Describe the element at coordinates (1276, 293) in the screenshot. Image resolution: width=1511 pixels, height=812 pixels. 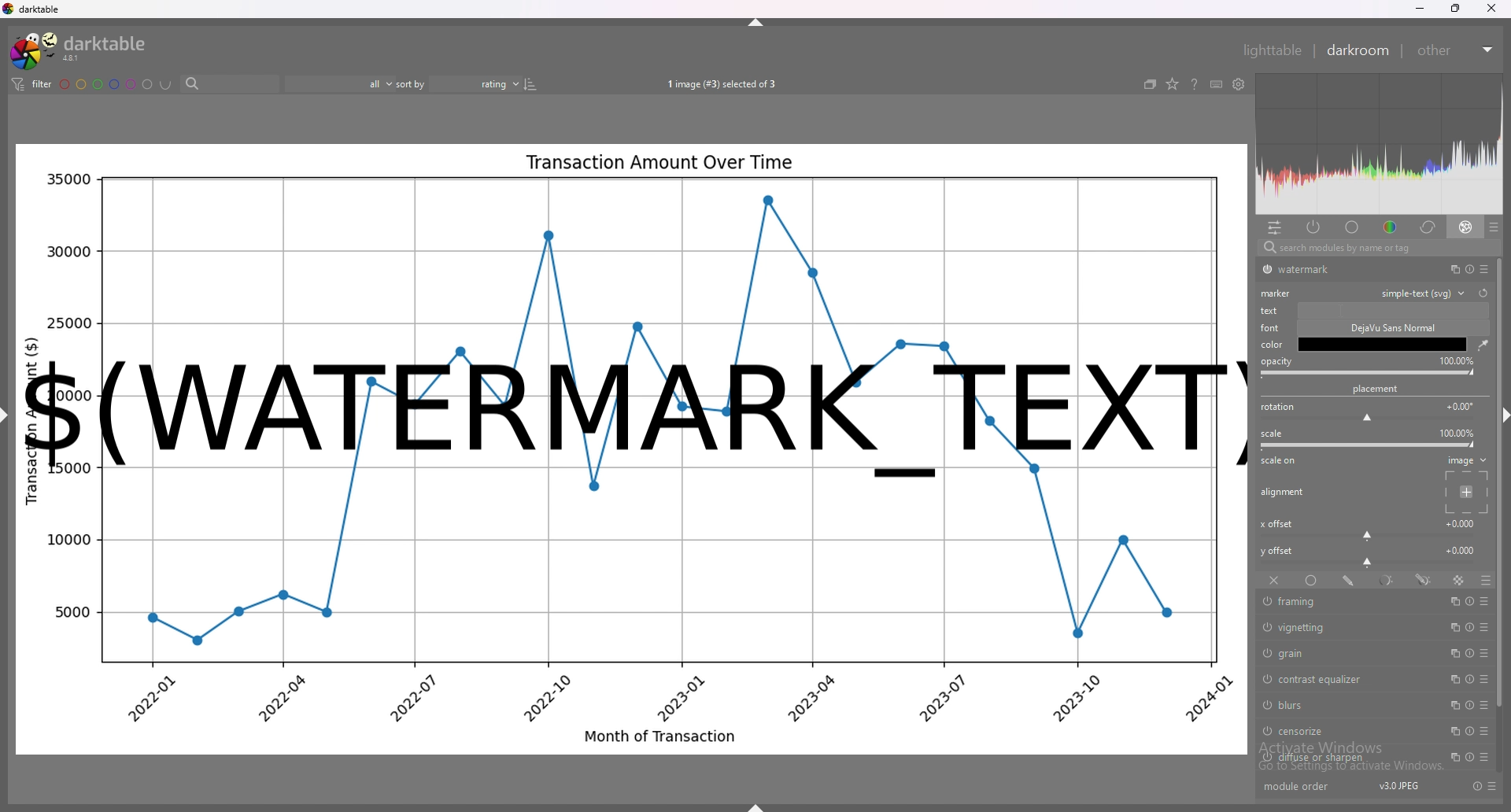
I see `marker` at that location.